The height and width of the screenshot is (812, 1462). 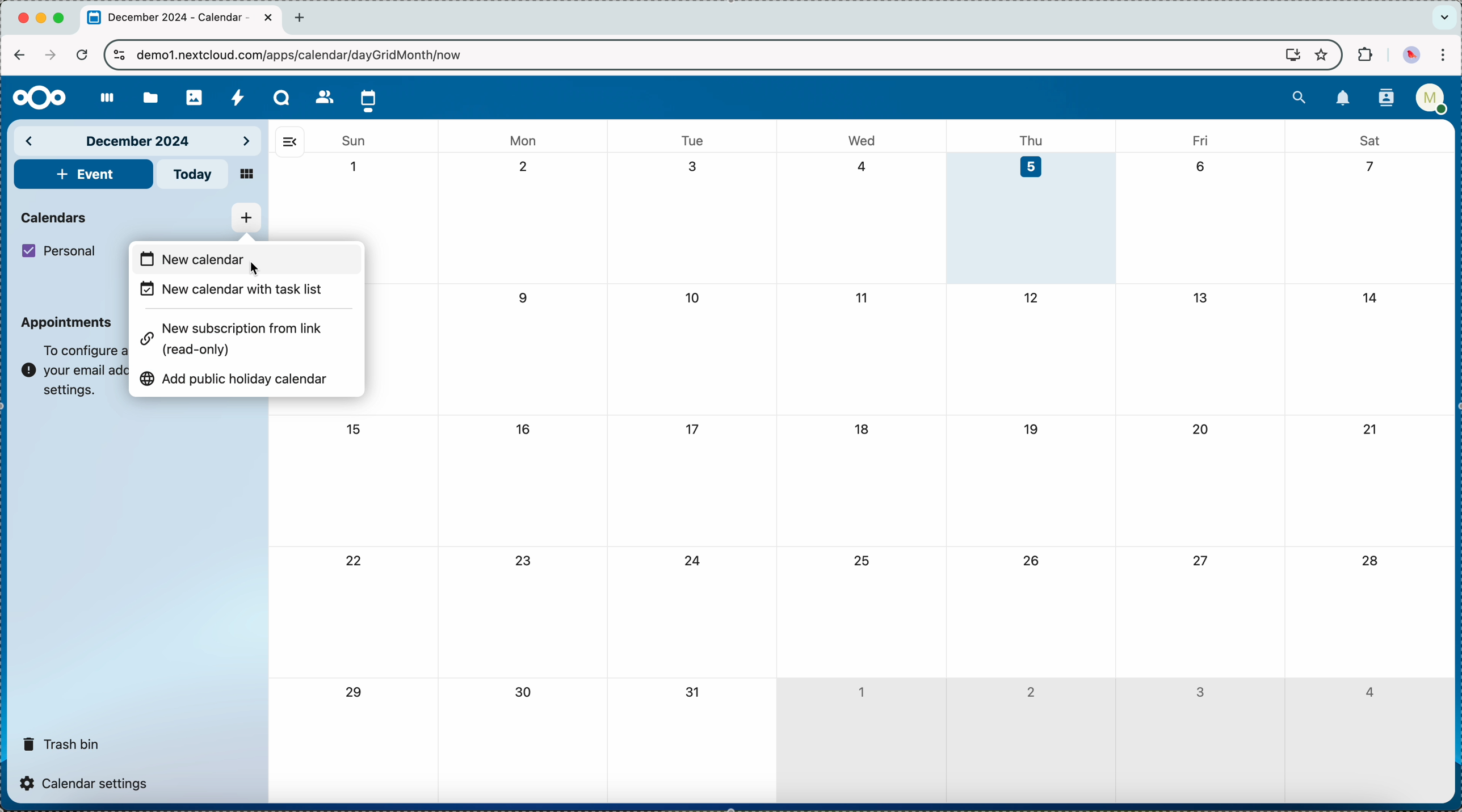 I want to click on photos, so click(x=194, y=94).